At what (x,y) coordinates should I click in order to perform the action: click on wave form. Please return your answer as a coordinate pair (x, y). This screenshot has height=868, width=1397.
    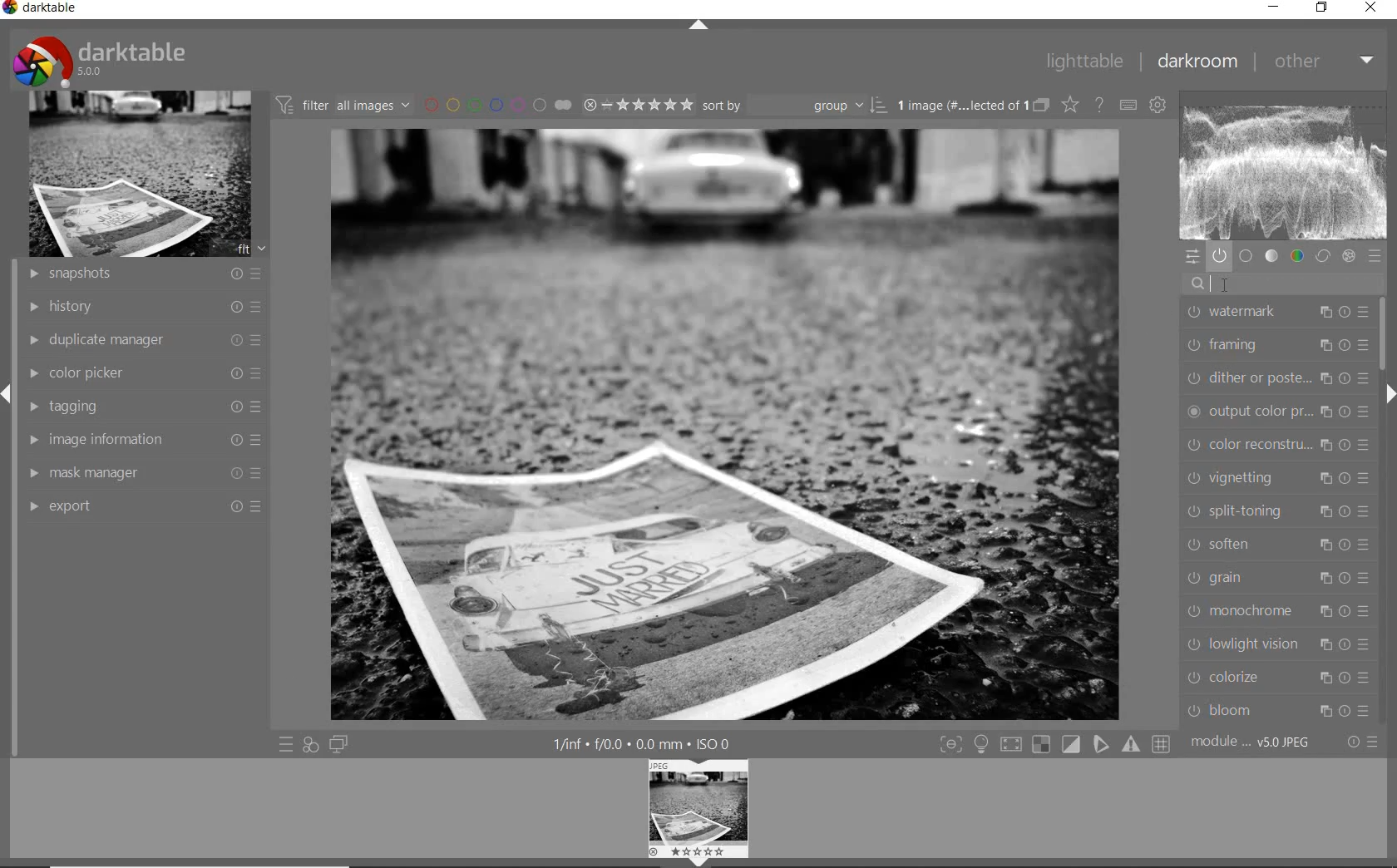
    Looking at the image, I should click on (1284, 167).